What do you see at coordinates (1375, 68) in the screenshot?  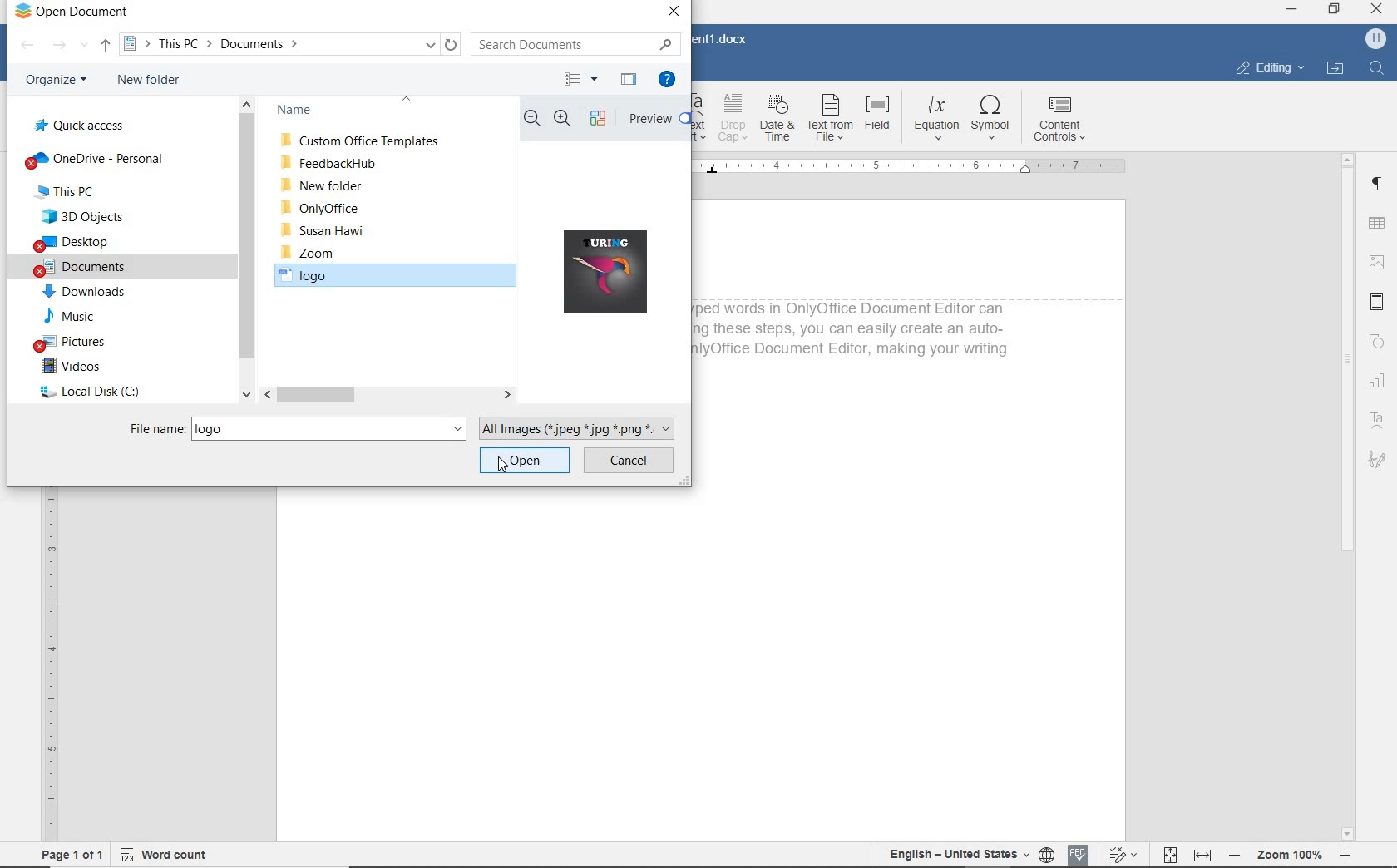 I see `Search` at bounding box center [1375, 68].